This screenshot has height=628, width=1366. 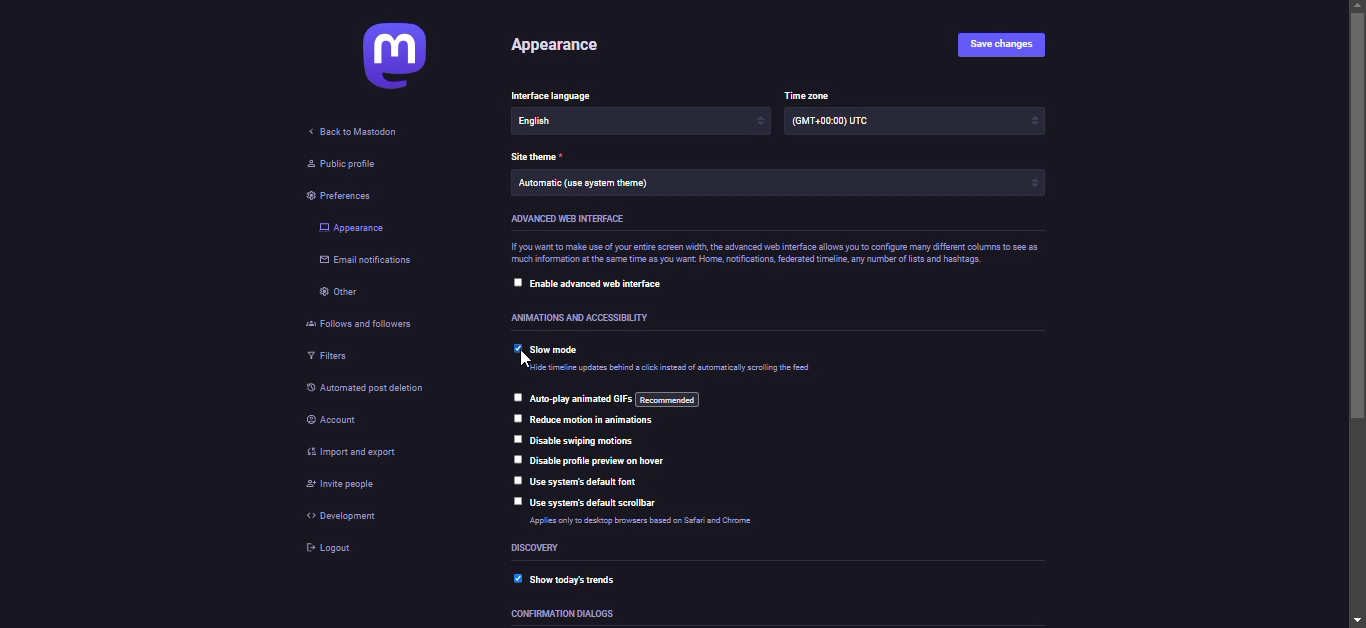 What do you see at coordinates (905, 122) in the screenshot?
I see `(GMT +00:00) UTC` at bounding box center [905, 122].